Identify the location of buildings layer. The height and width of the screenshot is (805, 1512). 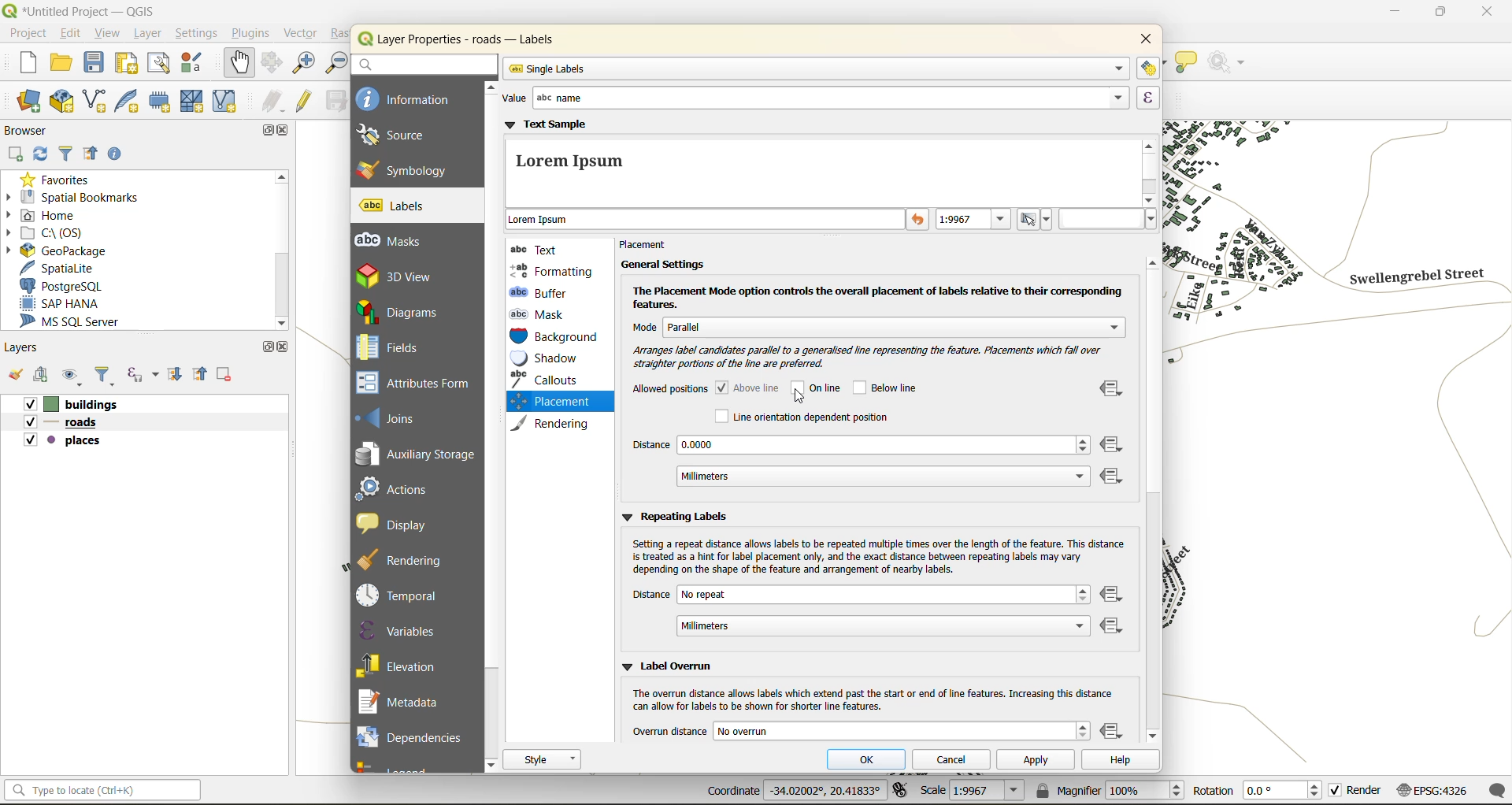
(76, 405).